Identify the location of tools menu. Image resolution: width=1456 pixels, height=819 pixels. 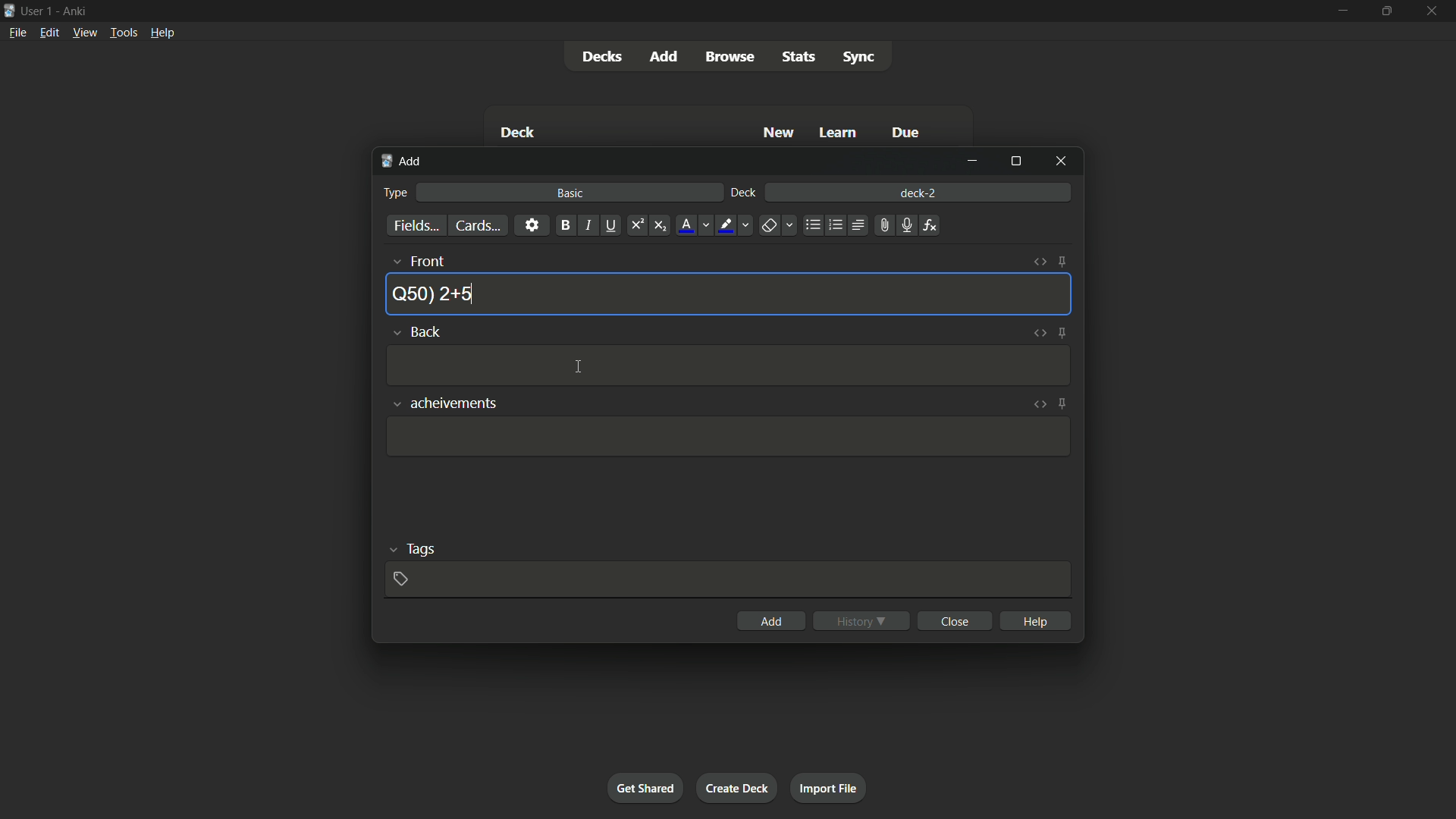
(124, 33).